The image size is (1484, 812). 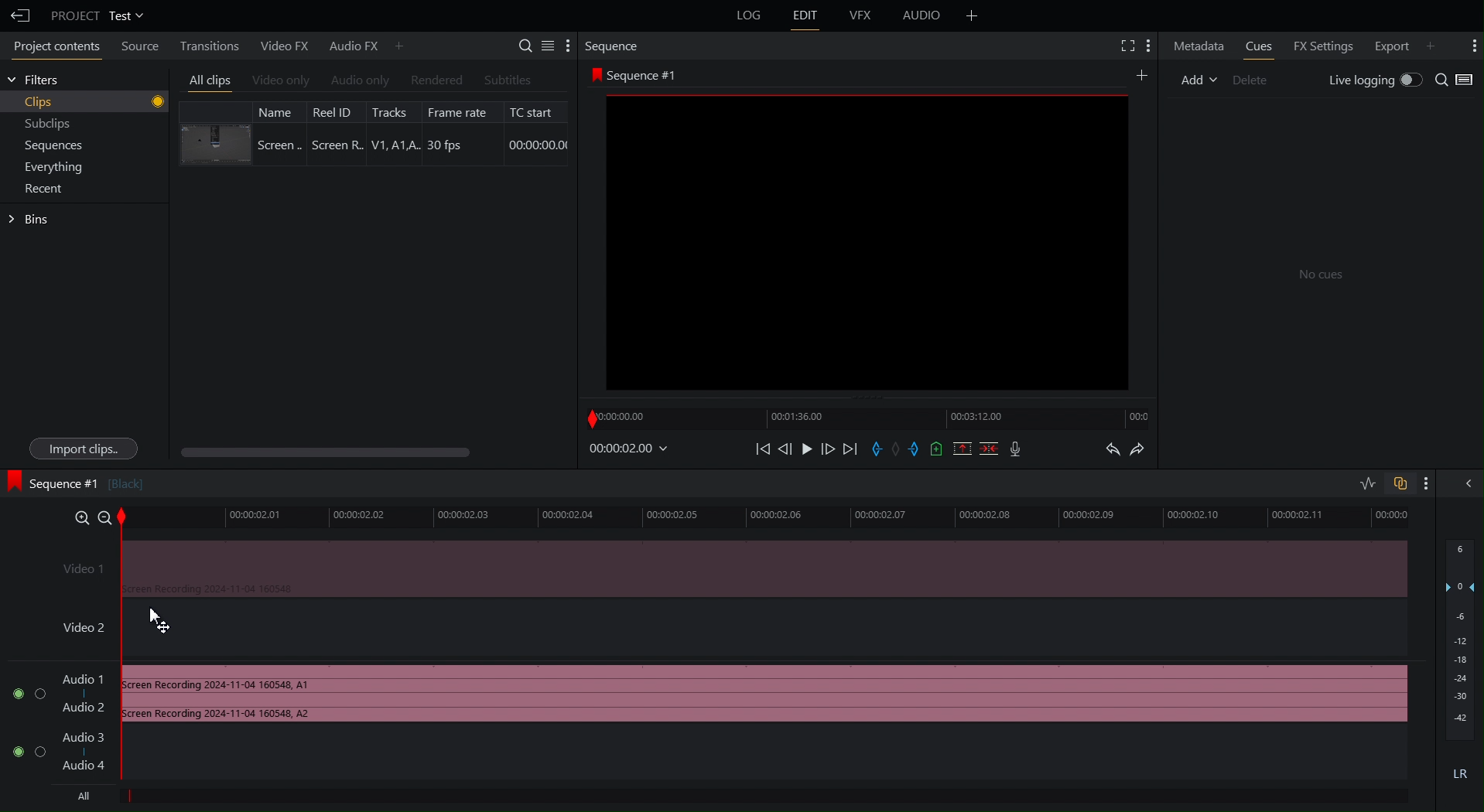 I want to click on Import clips, so click(x=77, y=448).